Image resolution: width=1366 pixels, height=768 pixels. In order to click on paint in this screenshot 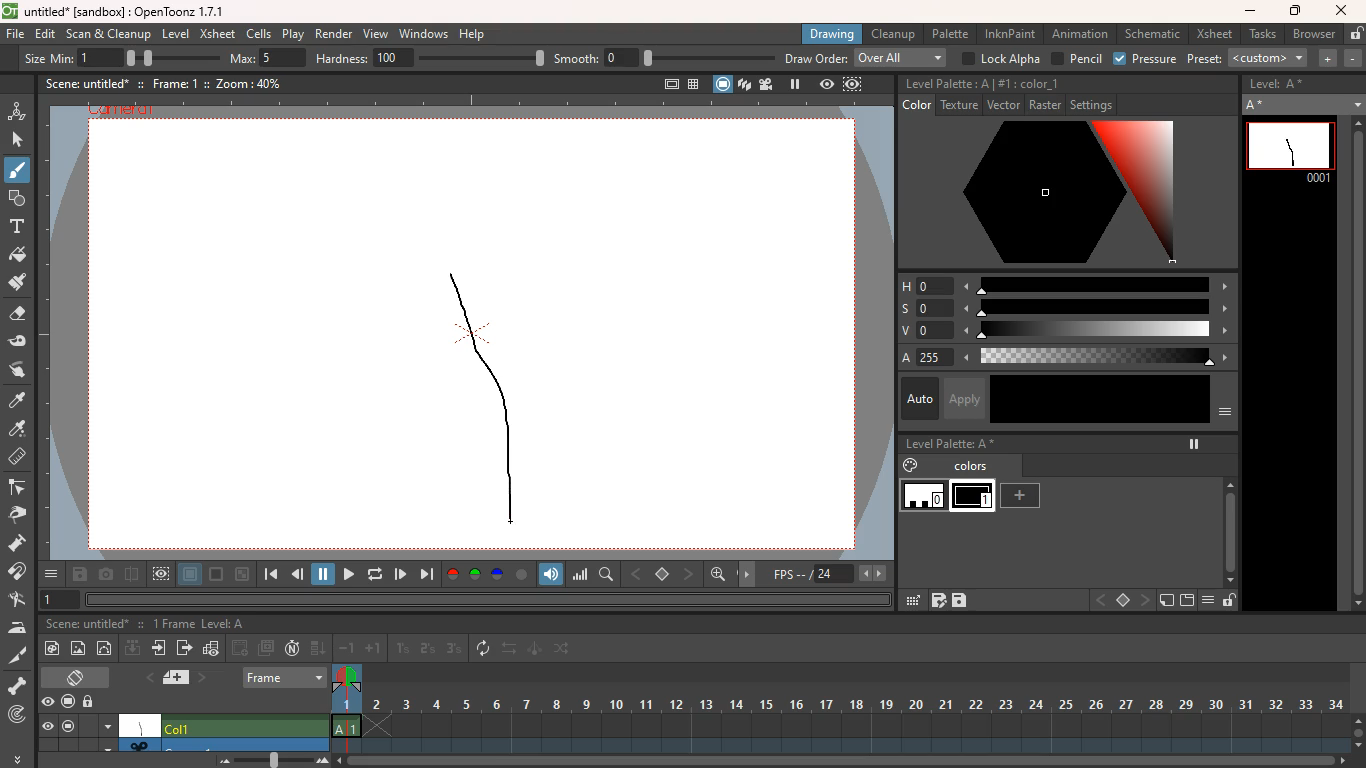, I will do `click(18, 401)`.